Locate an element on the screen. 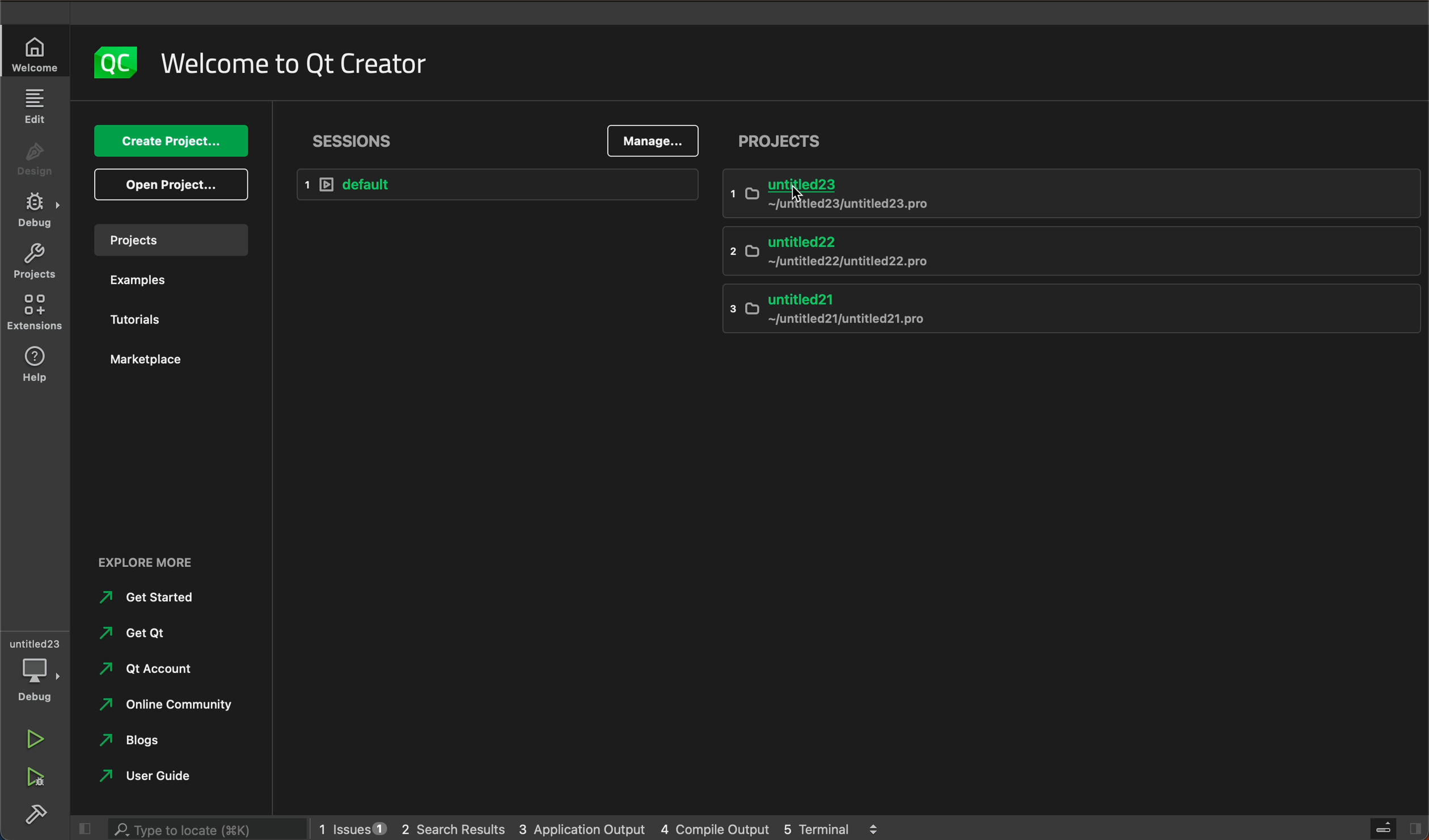 The height and width of the screenshot is (840, 1429). open is located at coordinates (169, 186).